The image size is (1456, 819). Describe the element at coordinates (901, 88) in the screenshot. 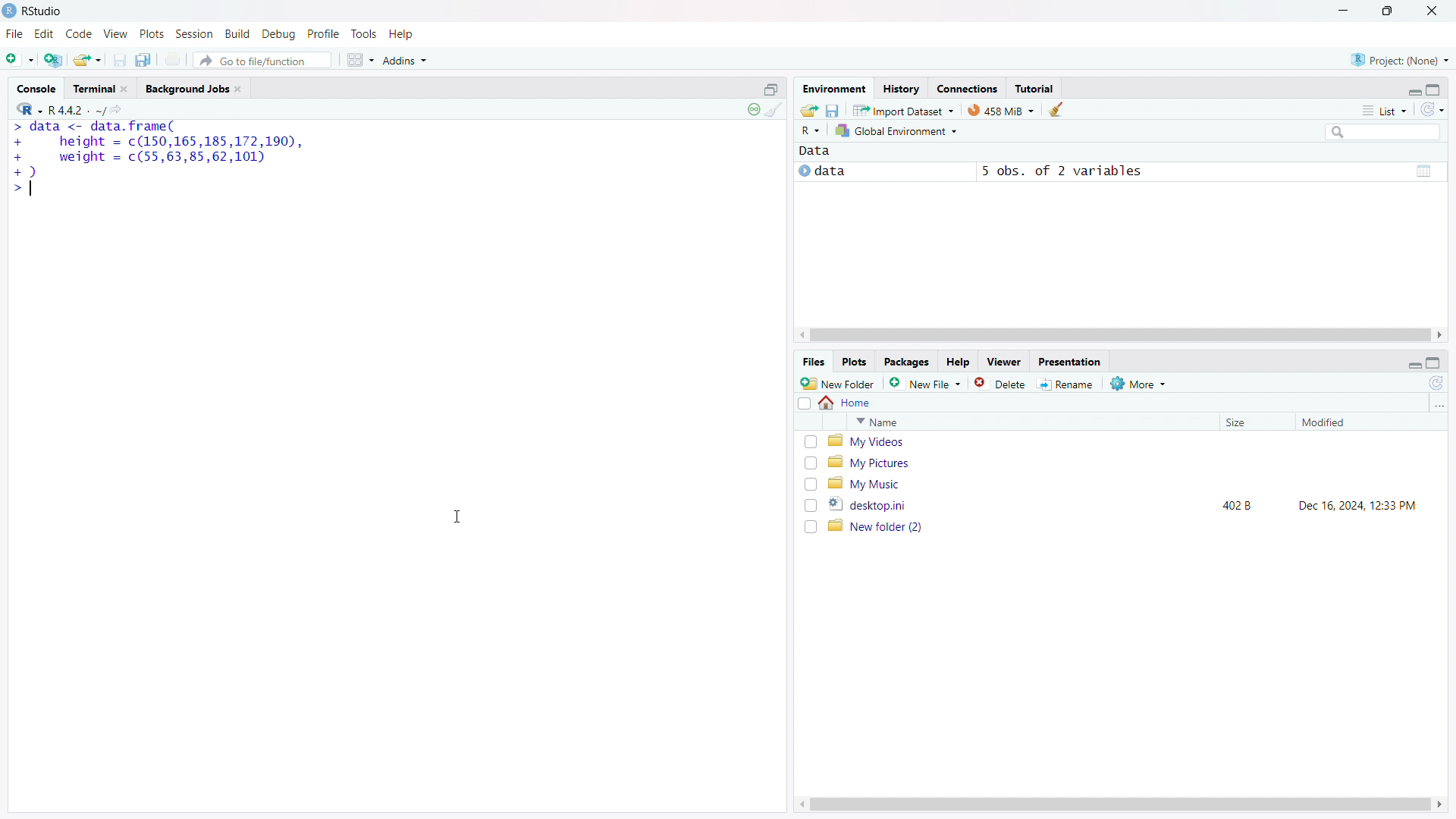

I see `history` at that location.